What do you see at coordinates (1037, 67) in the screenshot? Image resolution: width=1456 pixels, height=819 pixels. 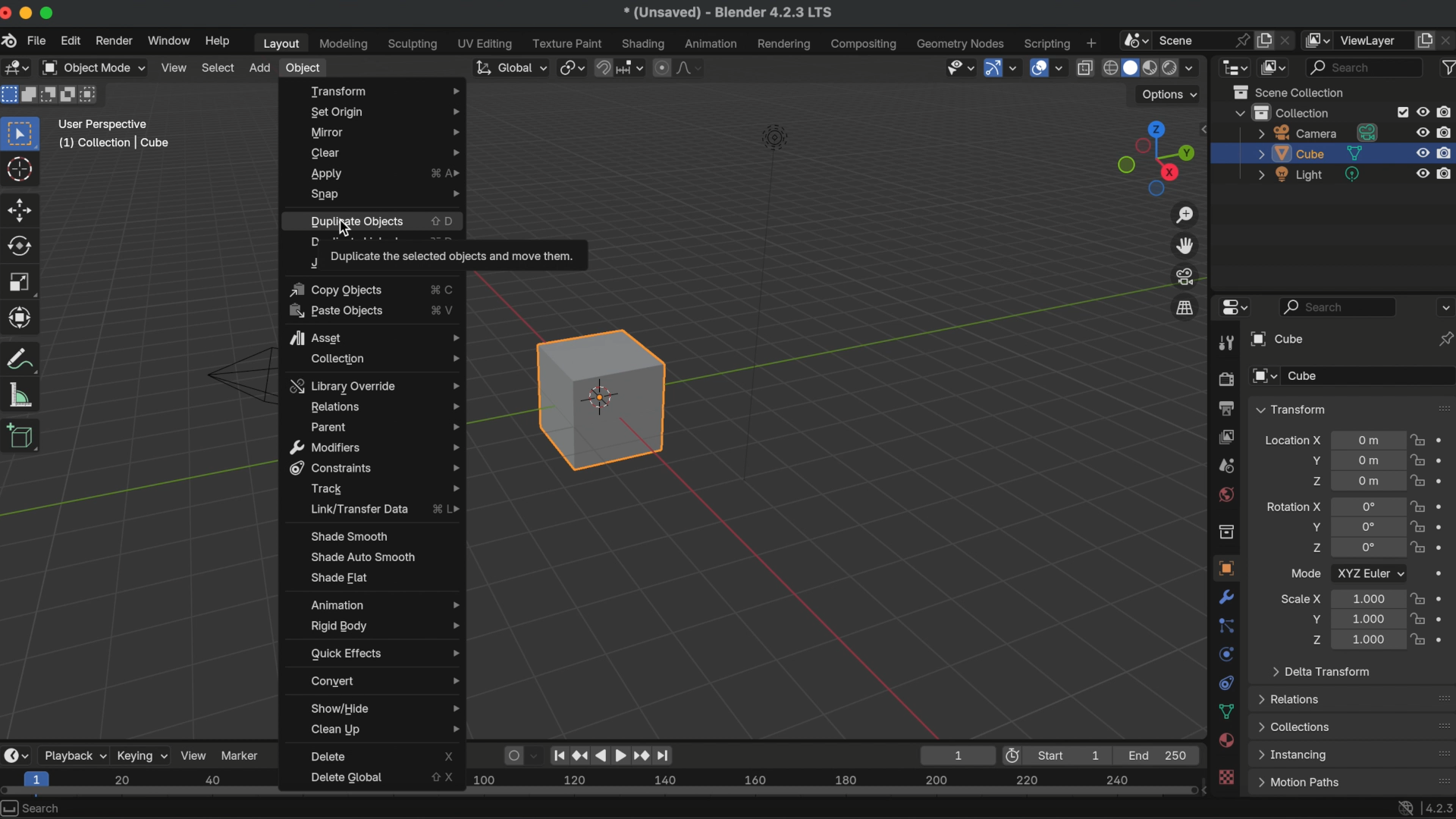 I see `show overlays` at bounding box center [1037, 67].